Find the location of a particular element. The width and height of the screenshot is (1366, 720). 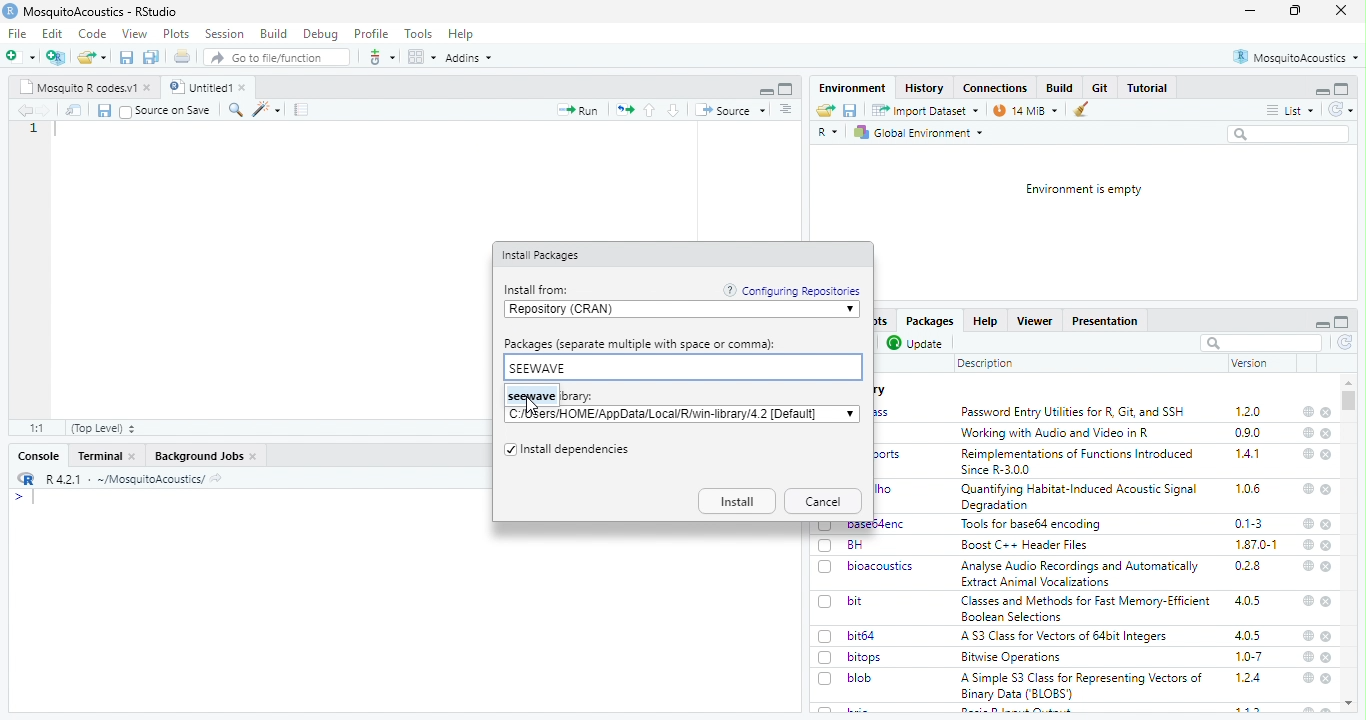

Edit is located at coordinates (54, 33).